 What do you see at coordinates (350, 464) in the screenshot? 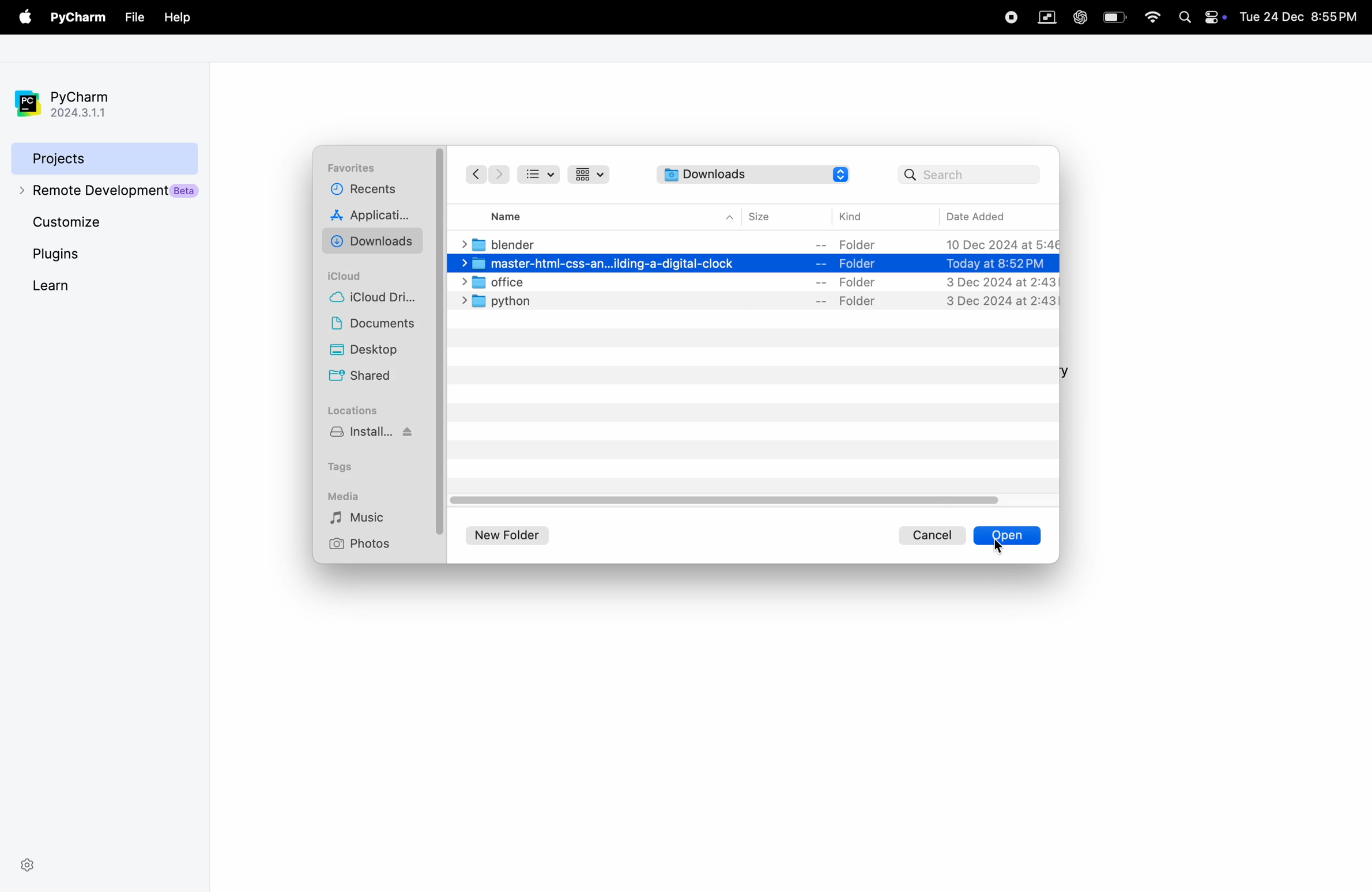
I see `tags` at bounding box center [350, 464].